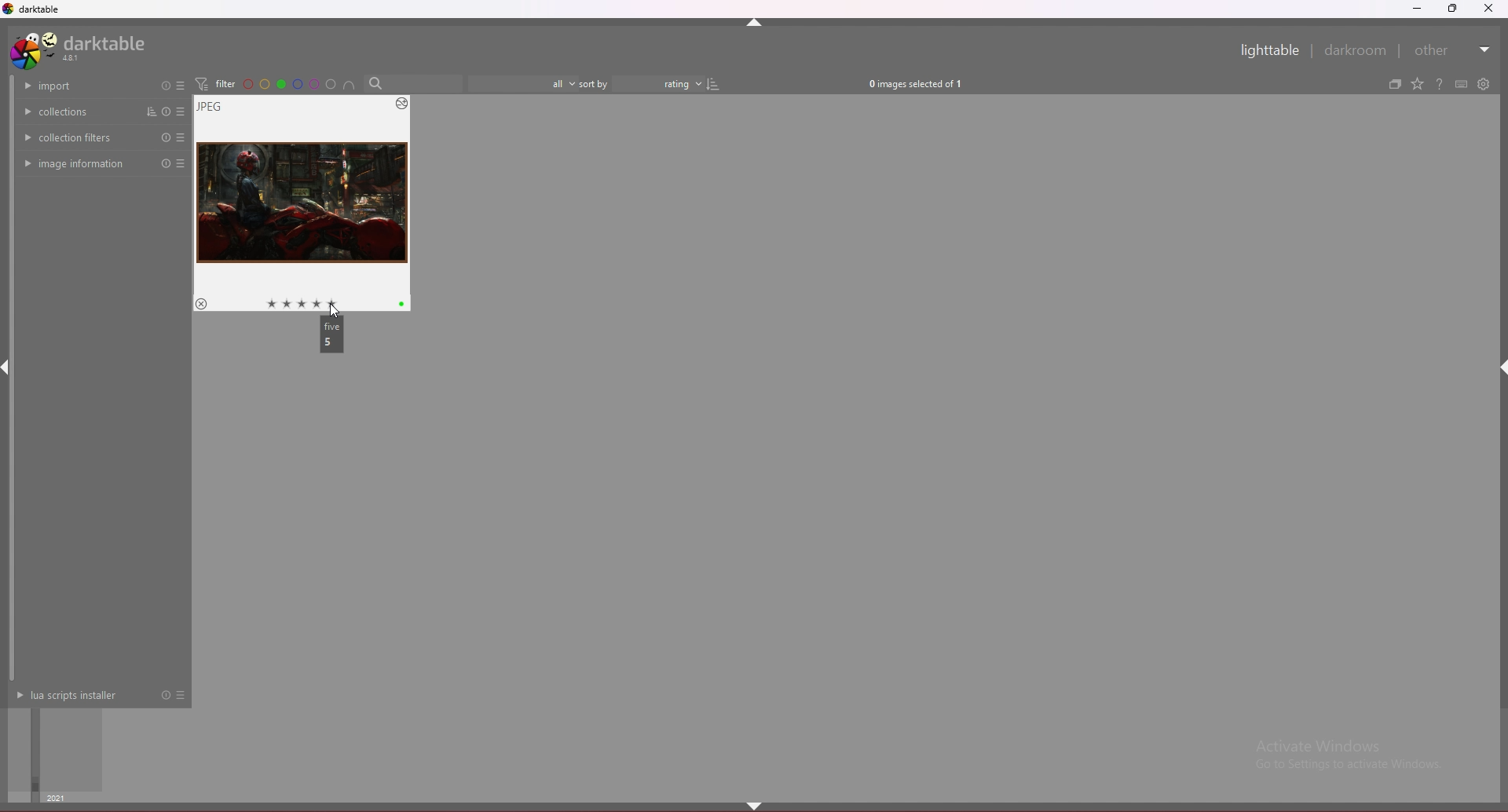  What do you see at coordinates (1484, 85) in the screenshot?
I see `show global preferences` at bounding box center [1484, 85].